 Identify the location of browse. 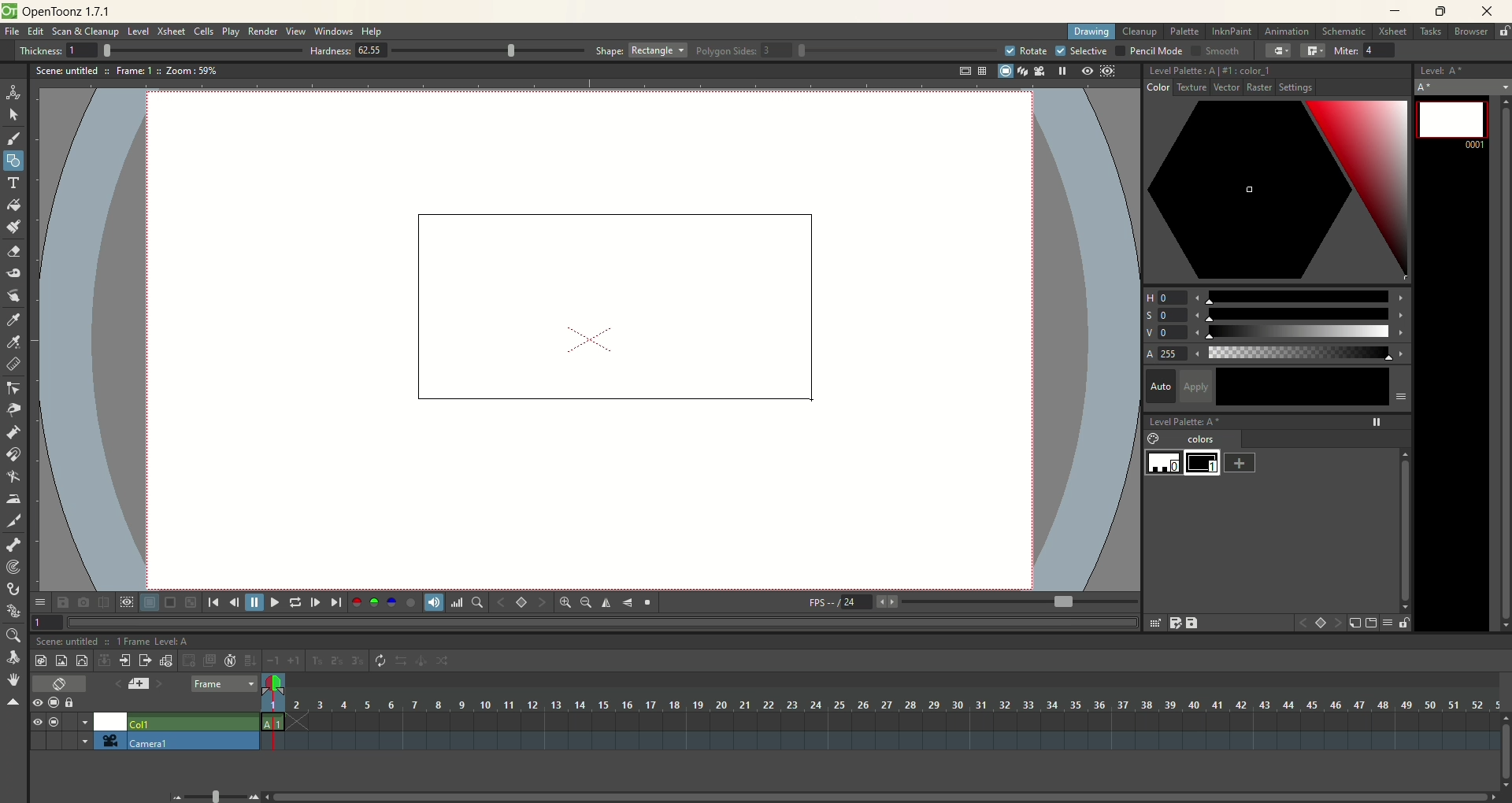
(1472, 32).